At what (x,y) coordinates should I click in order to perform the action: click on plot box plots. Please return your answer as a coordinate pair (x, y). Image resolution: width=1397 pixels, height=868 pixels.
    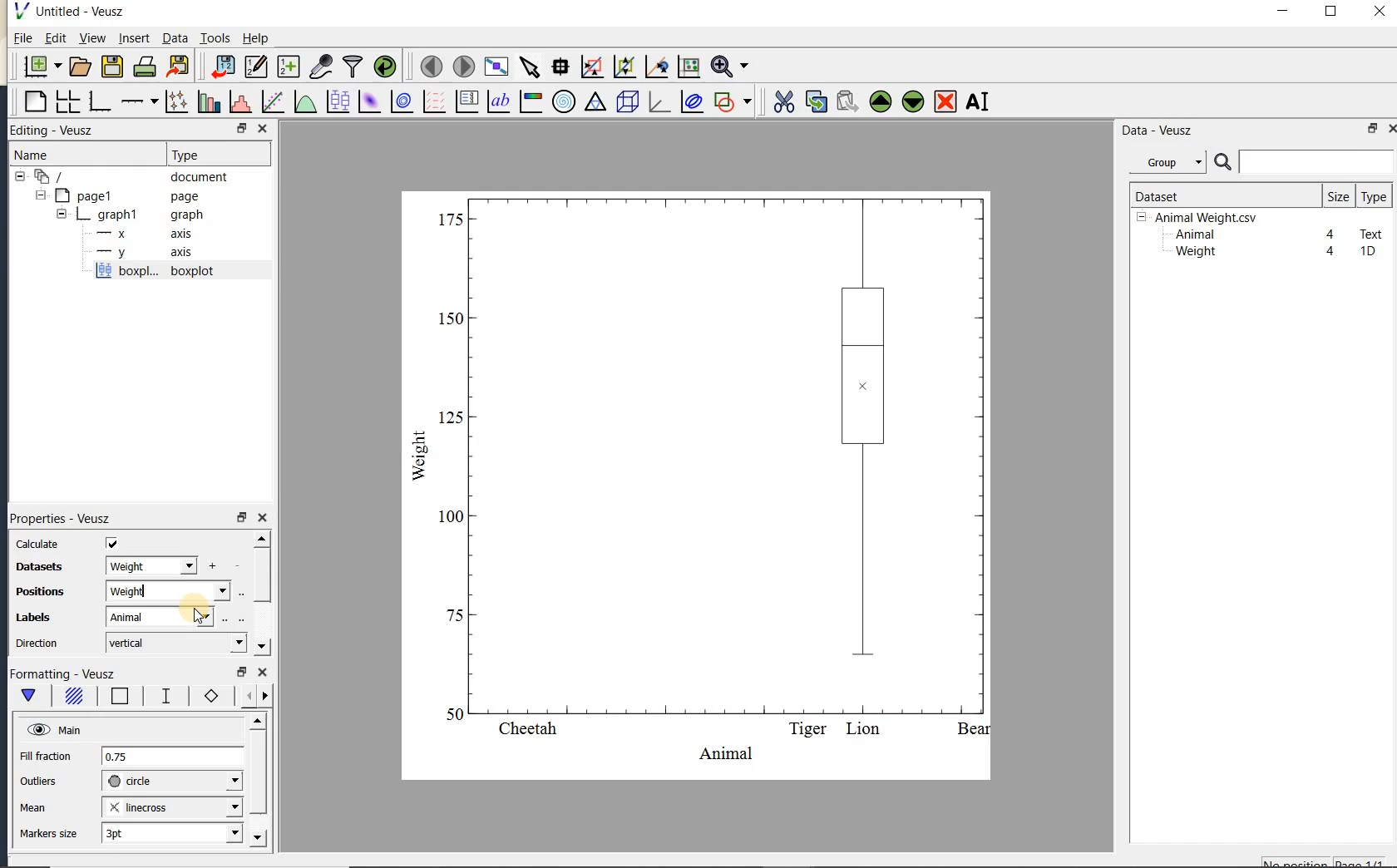
    Looking at the image, I should click on (335, 102).